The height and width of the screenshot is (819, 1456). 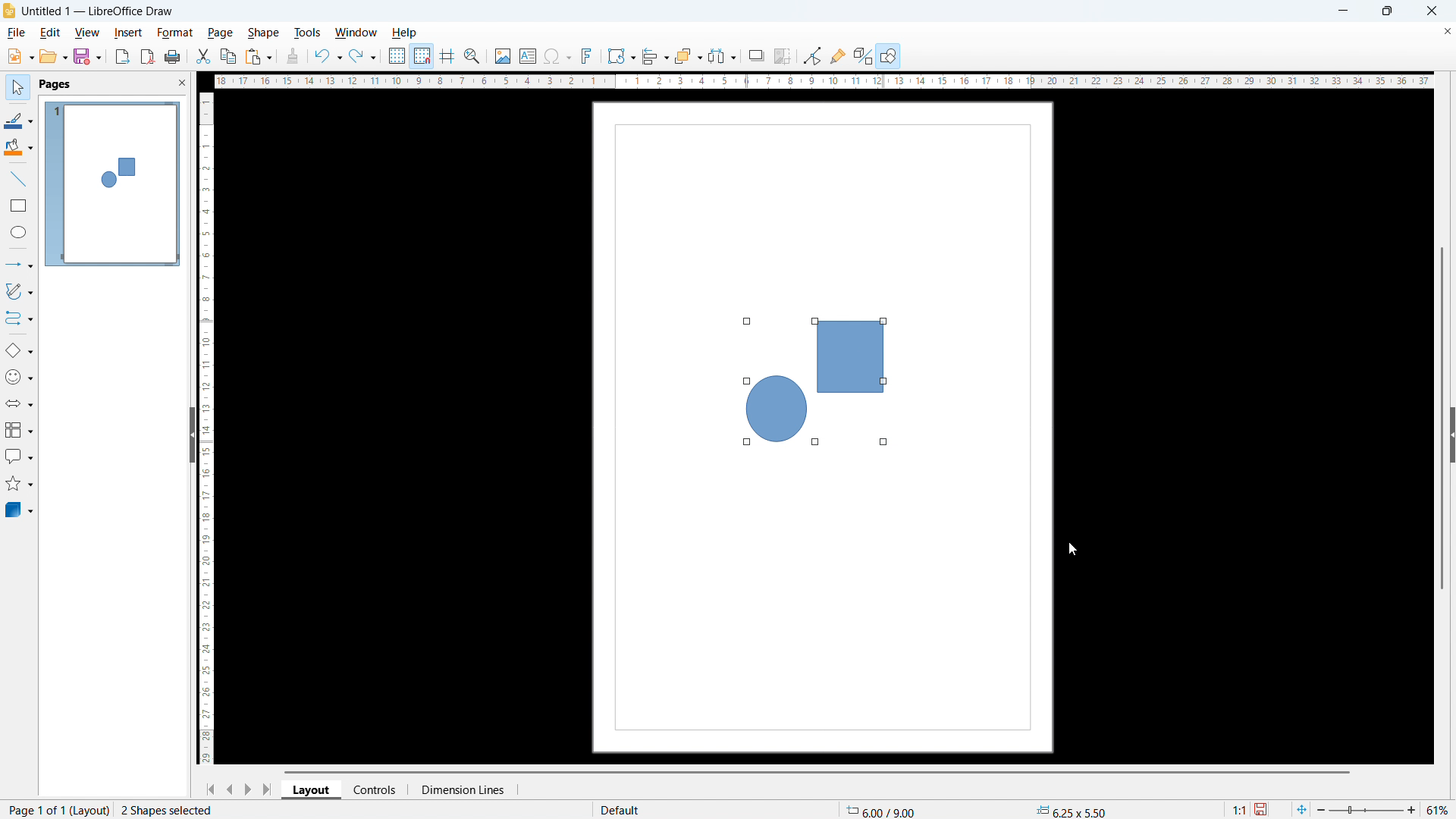 What do you see at coordinates (19, 377) in the screenshot?
I see `symbol shapes` at bounding box center [19, 377].